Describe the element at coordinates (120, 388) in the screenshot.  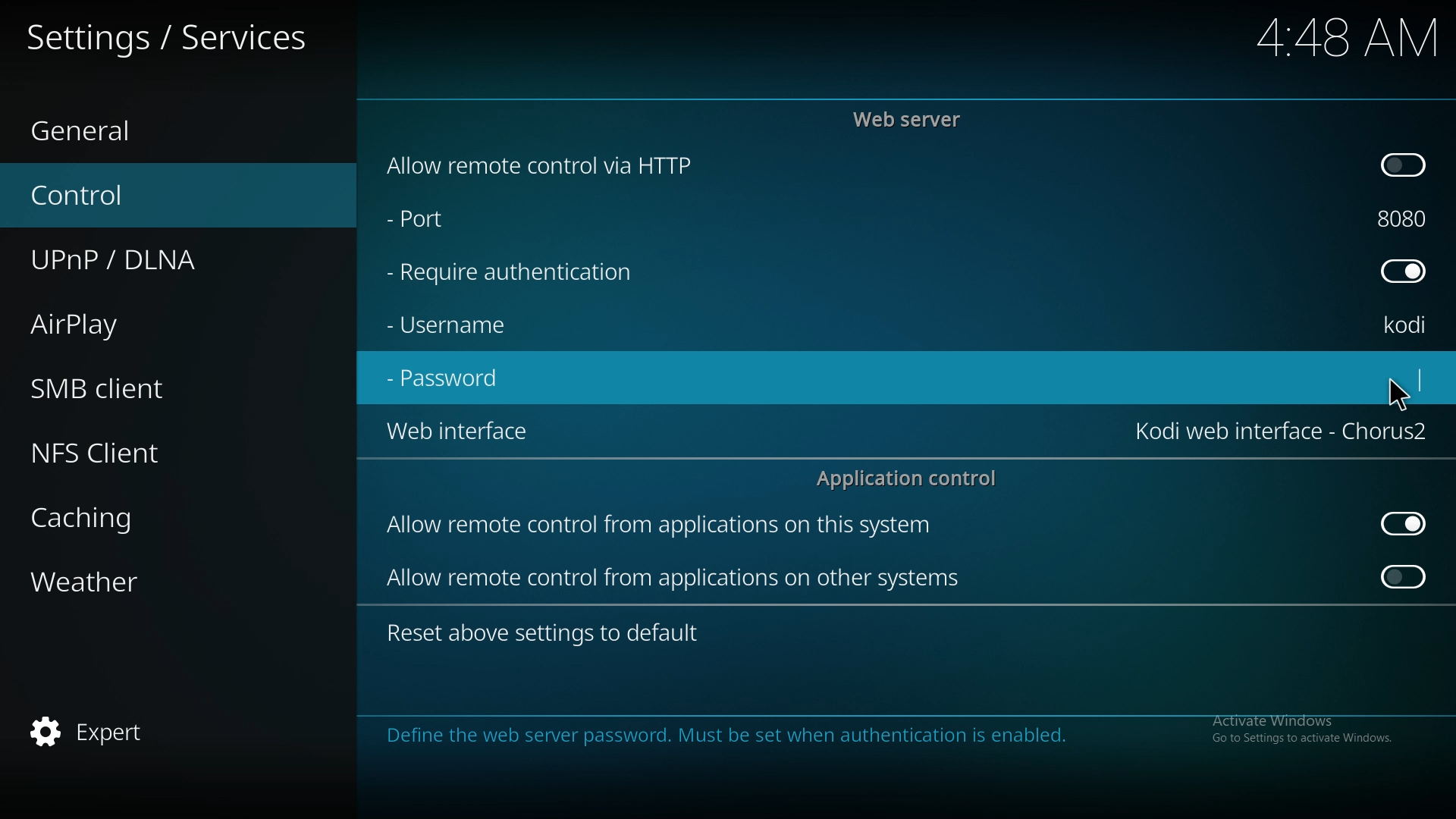
I see `smb client` at that location.